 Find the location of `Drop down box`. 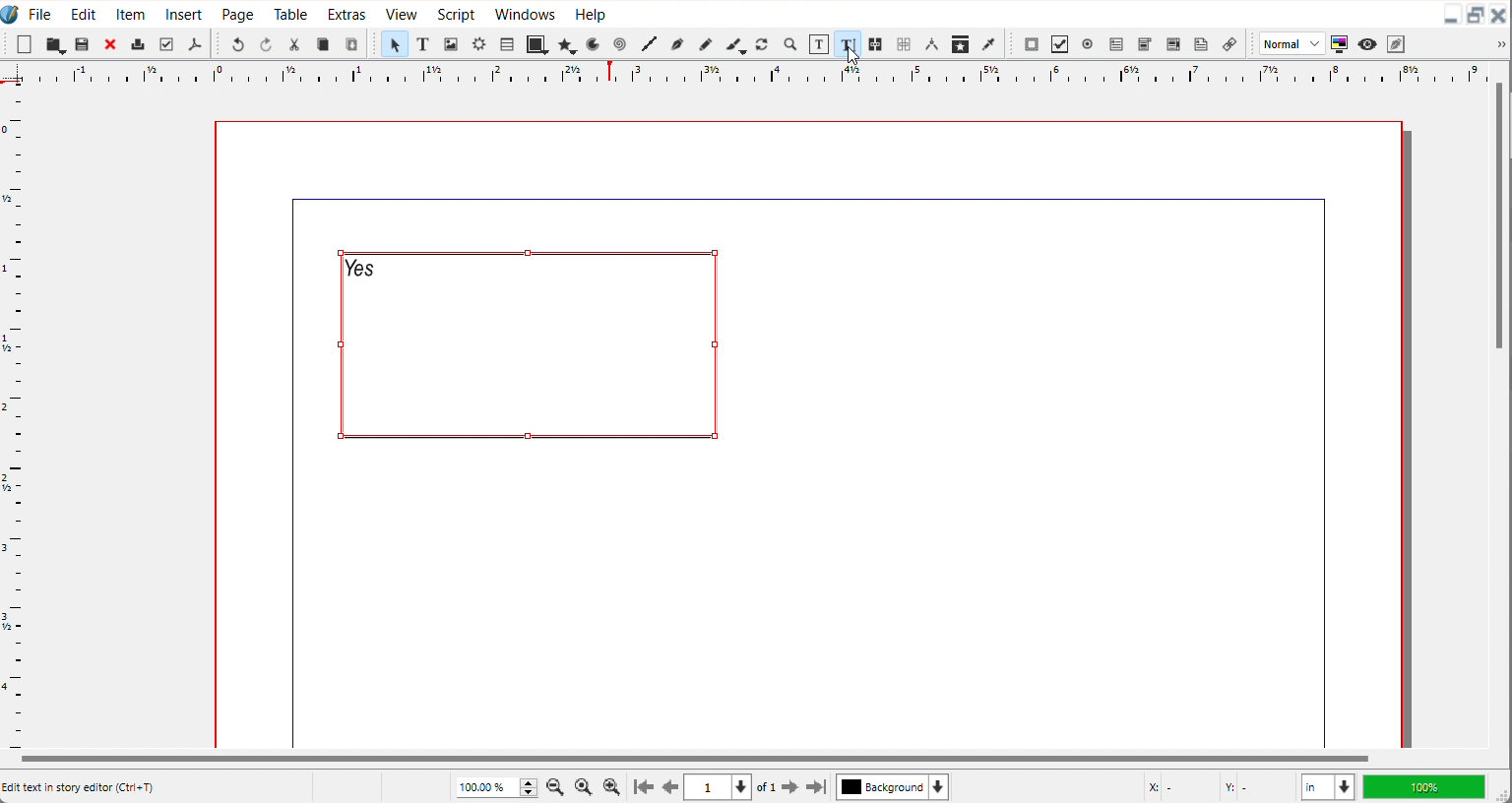

Drop down box is located at coordinates (1498, 44).